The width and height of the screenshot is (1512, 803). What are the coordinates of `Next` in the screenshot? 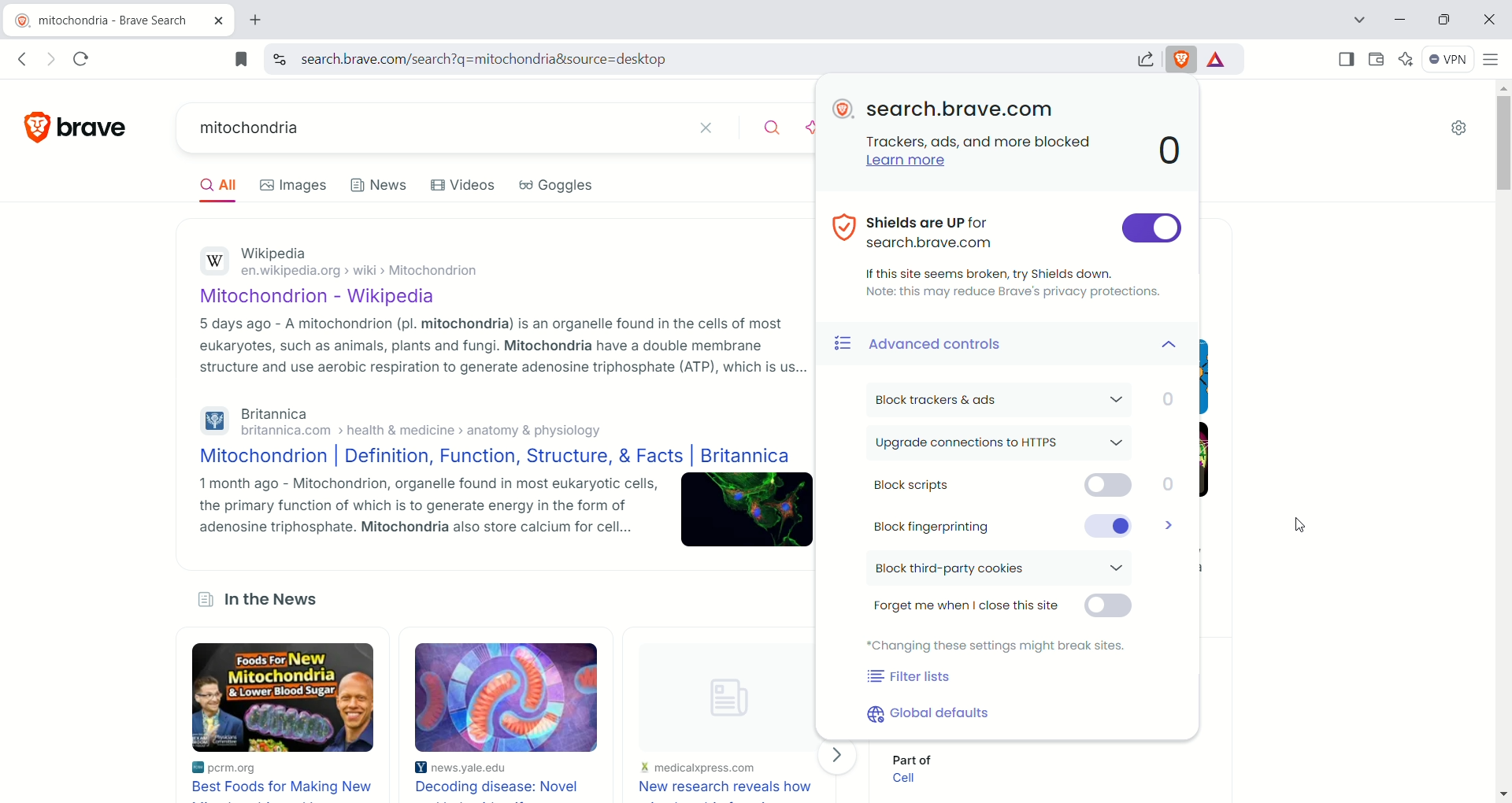 It's located at (839, 756).